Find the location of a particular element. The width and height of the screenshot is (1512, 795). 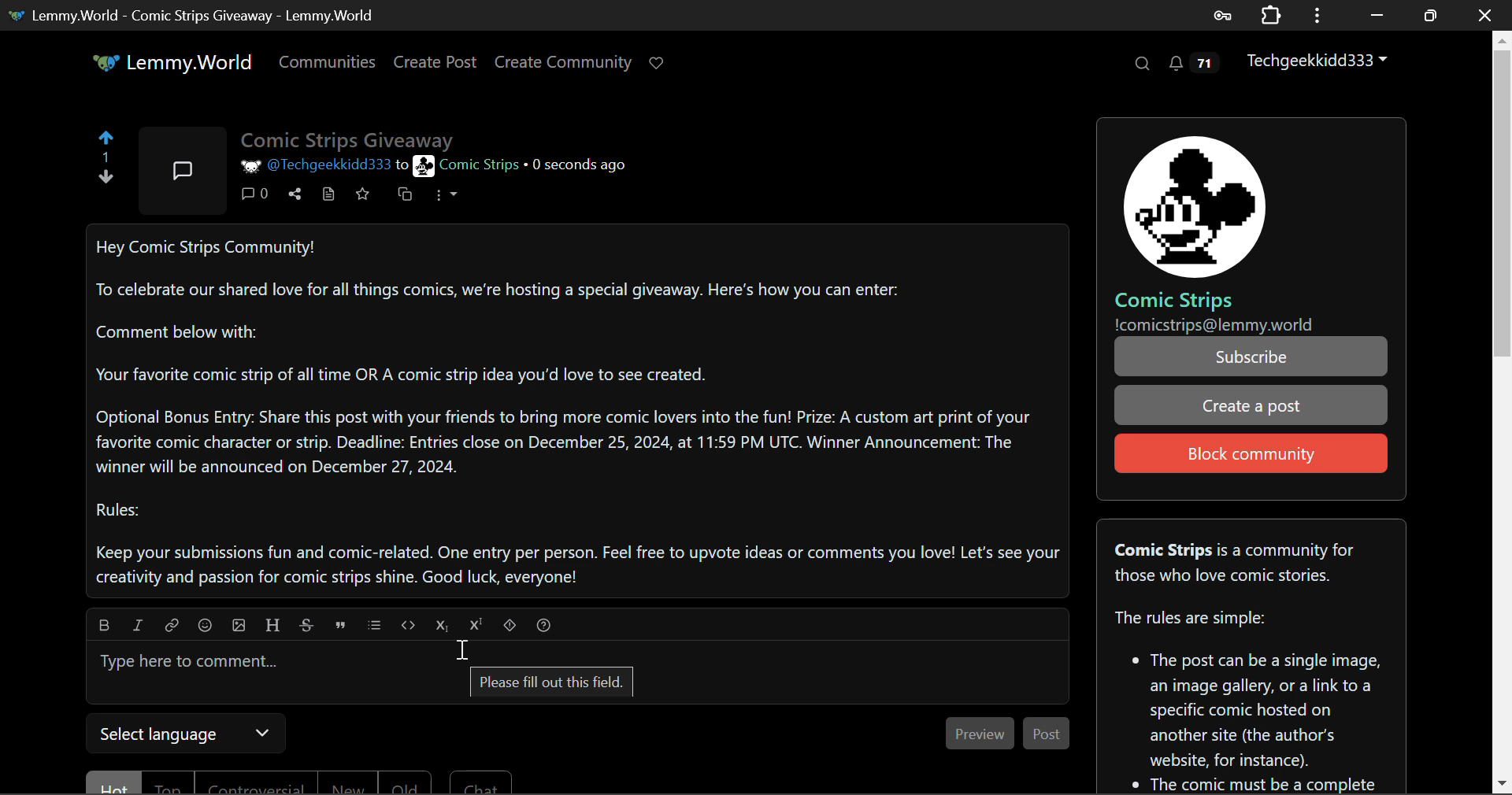

Search is located at coordinates (1142, 65).